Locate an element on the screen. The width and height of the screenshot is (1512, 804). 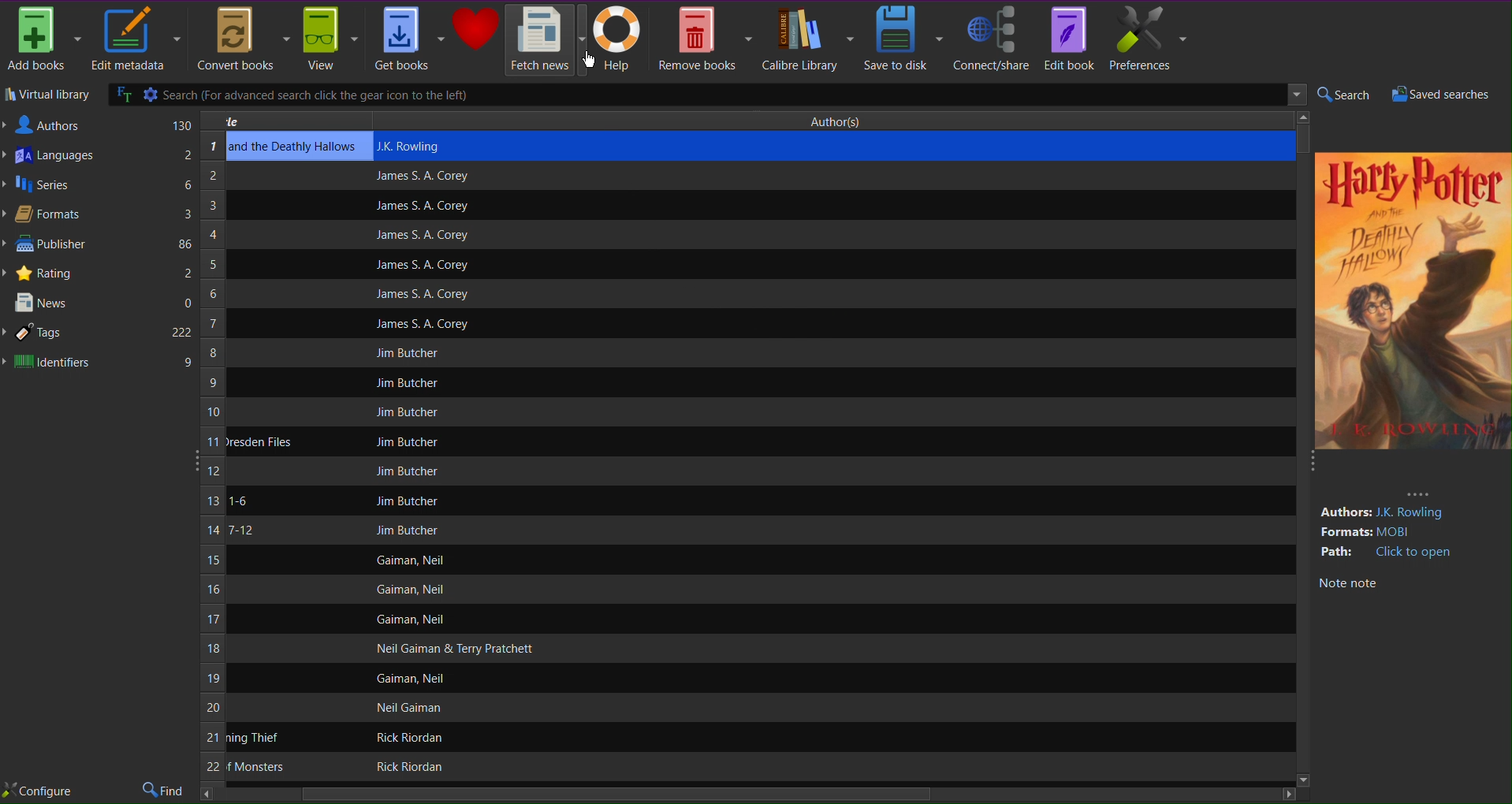
Gaiman, Neil is located at coordinates (408, 590).